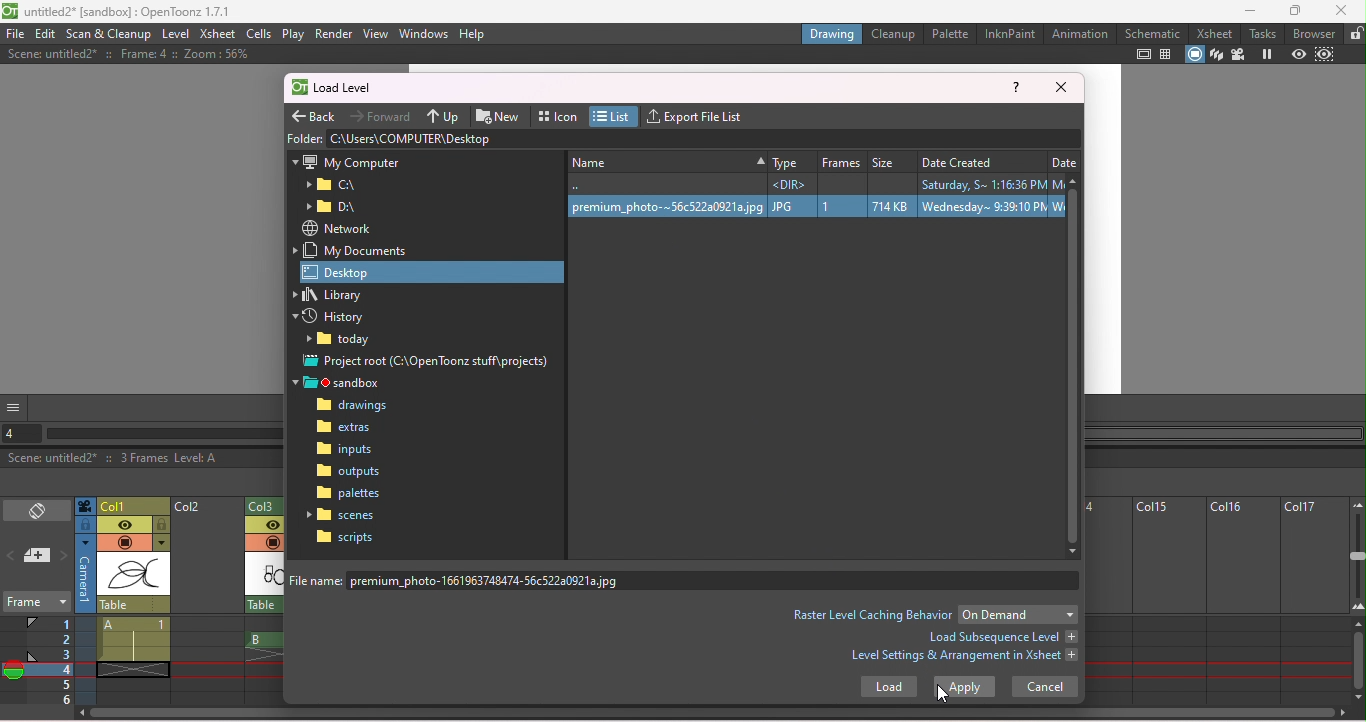 This screenshot has height=722, width=1366. Describe the element at coordinates (434, 271) in the screenshot. I see `Desktop` at that location.